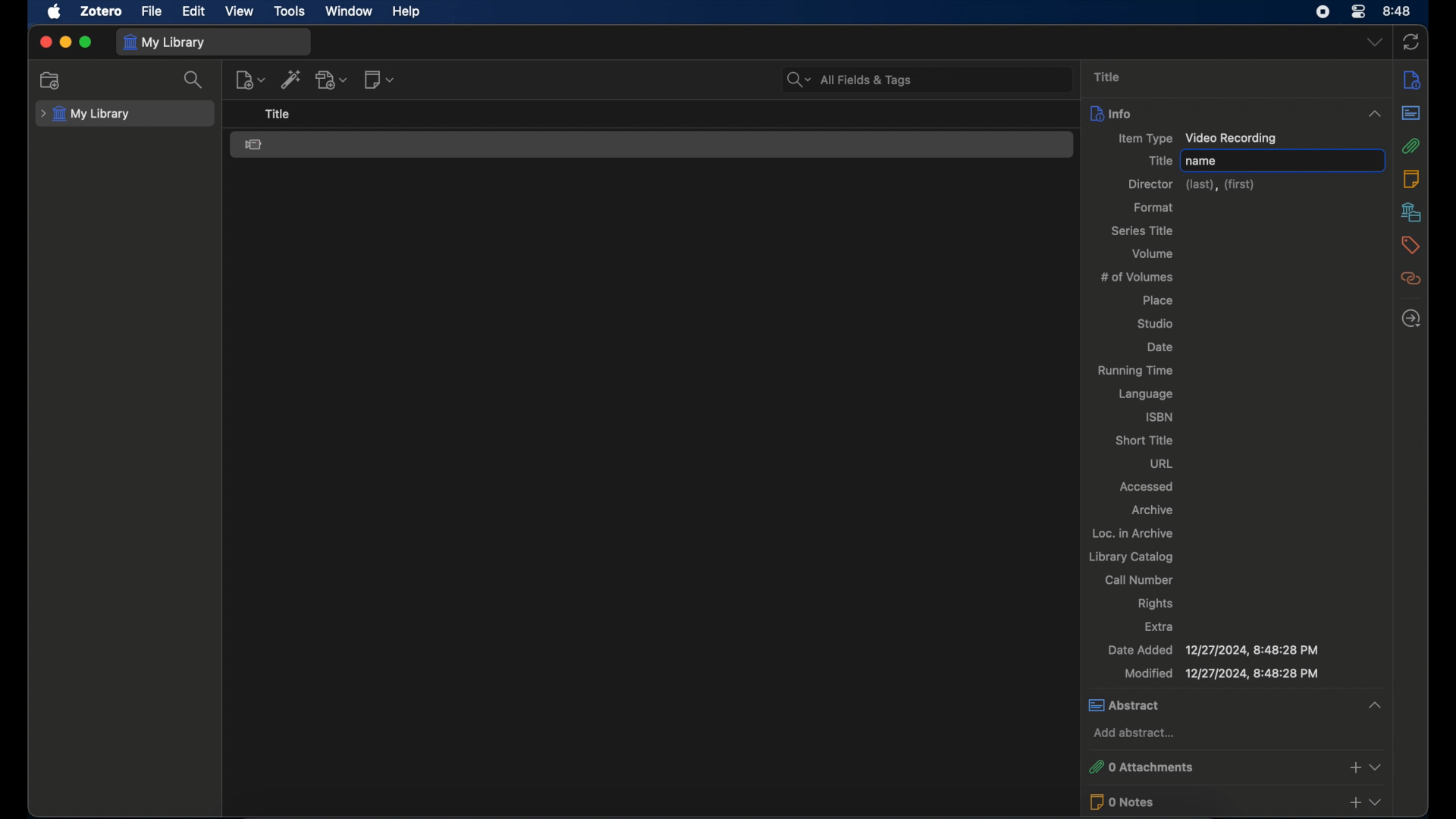 This screenshot has width=1456, height=819. Describe the element at coordinates (1323, 12) in the screenshot. I see `screen recorder` at that location.